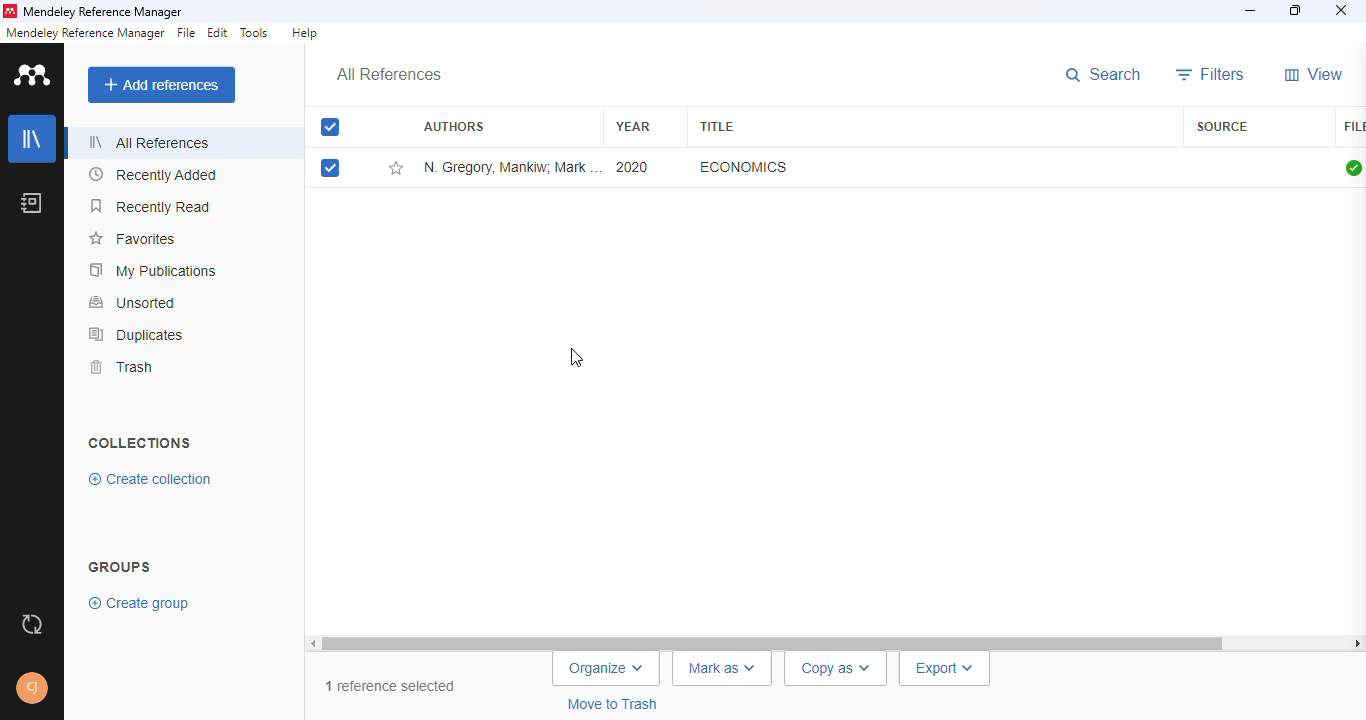 The height and width of the screenshot is (720, 1366). I want to click on recently added, so click(155, 175).